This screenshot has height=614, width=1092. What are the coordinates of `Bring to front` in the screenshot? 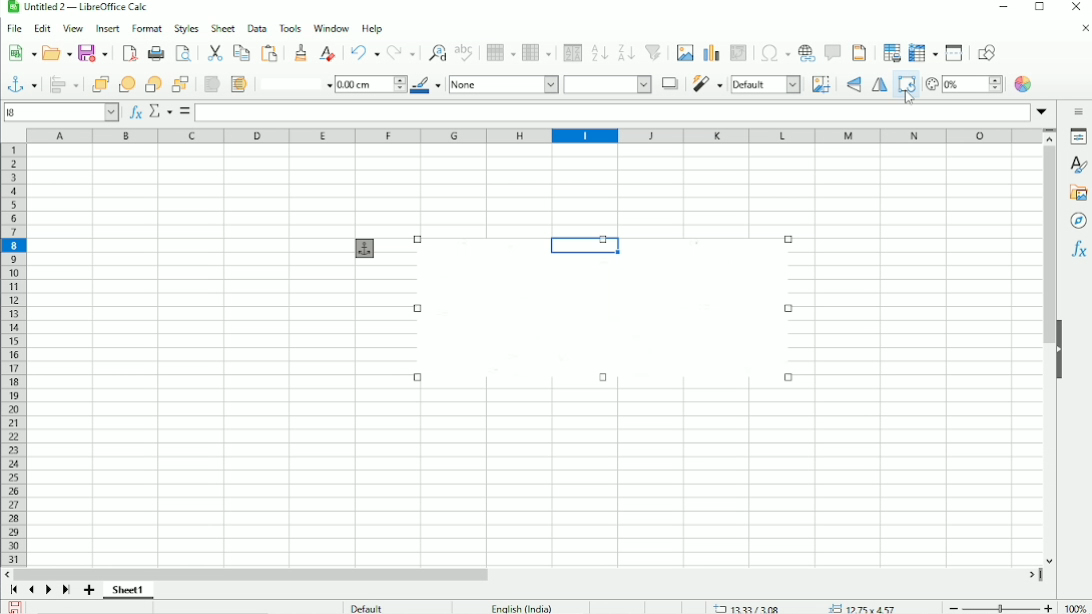 It's located at (96, 84).